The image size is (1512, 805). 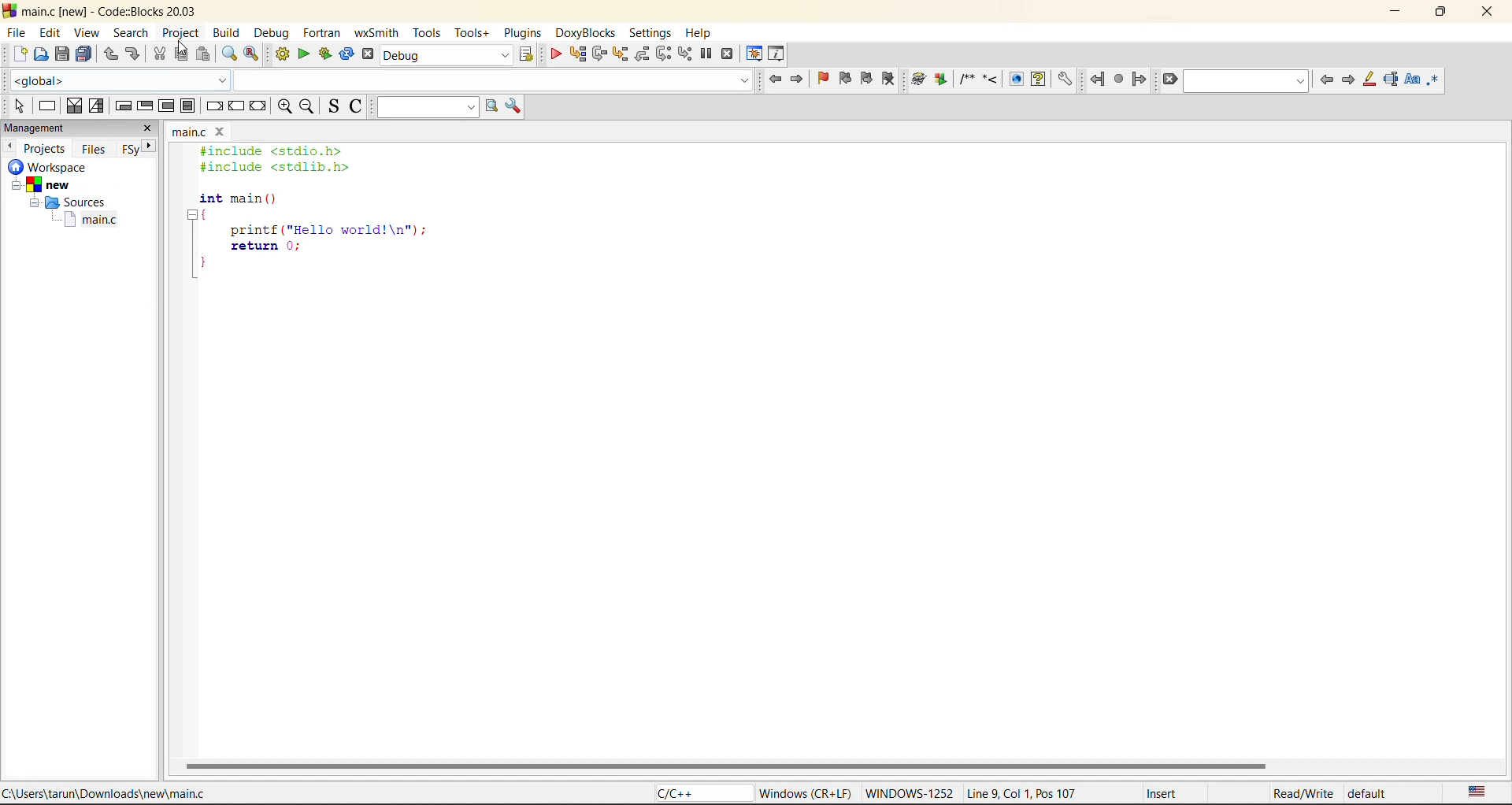 What do you see at coordinates (428, 107) in the screenshot?
I see `text to search` at bounding box center [428, 107].